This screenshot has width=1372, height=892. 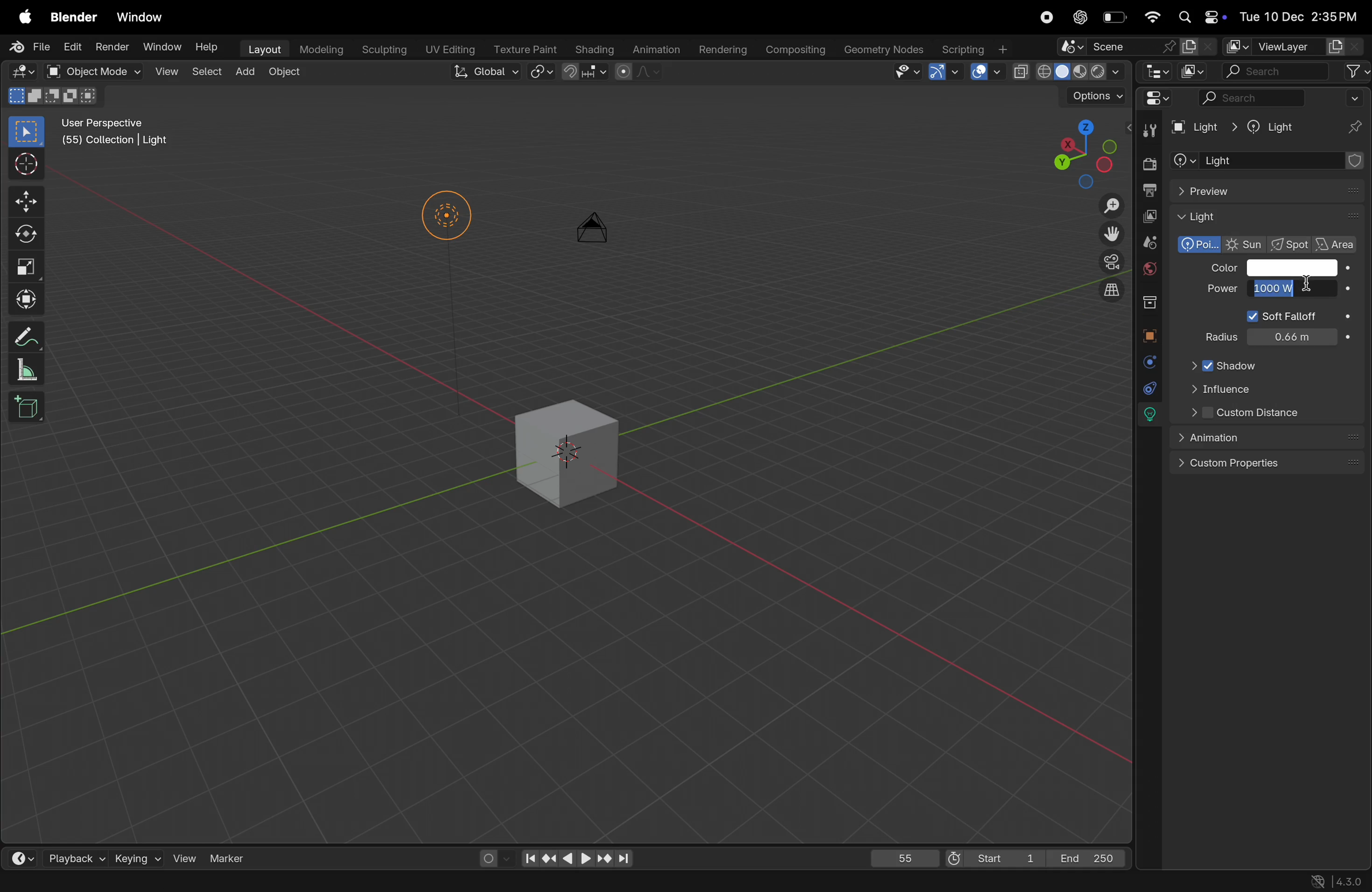 I want to click on snapping, so click(x=585, y=72).